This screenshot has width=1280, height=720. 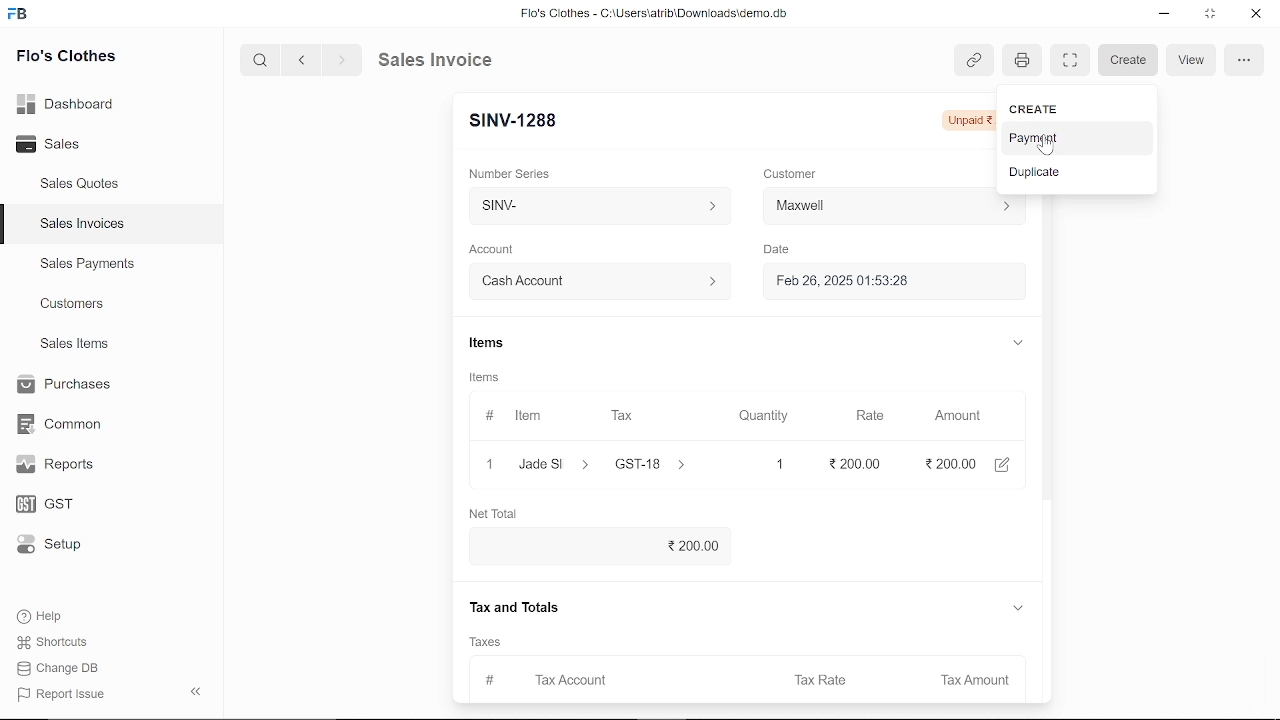 I want to click on GST-18, so click(x=662, y=464).